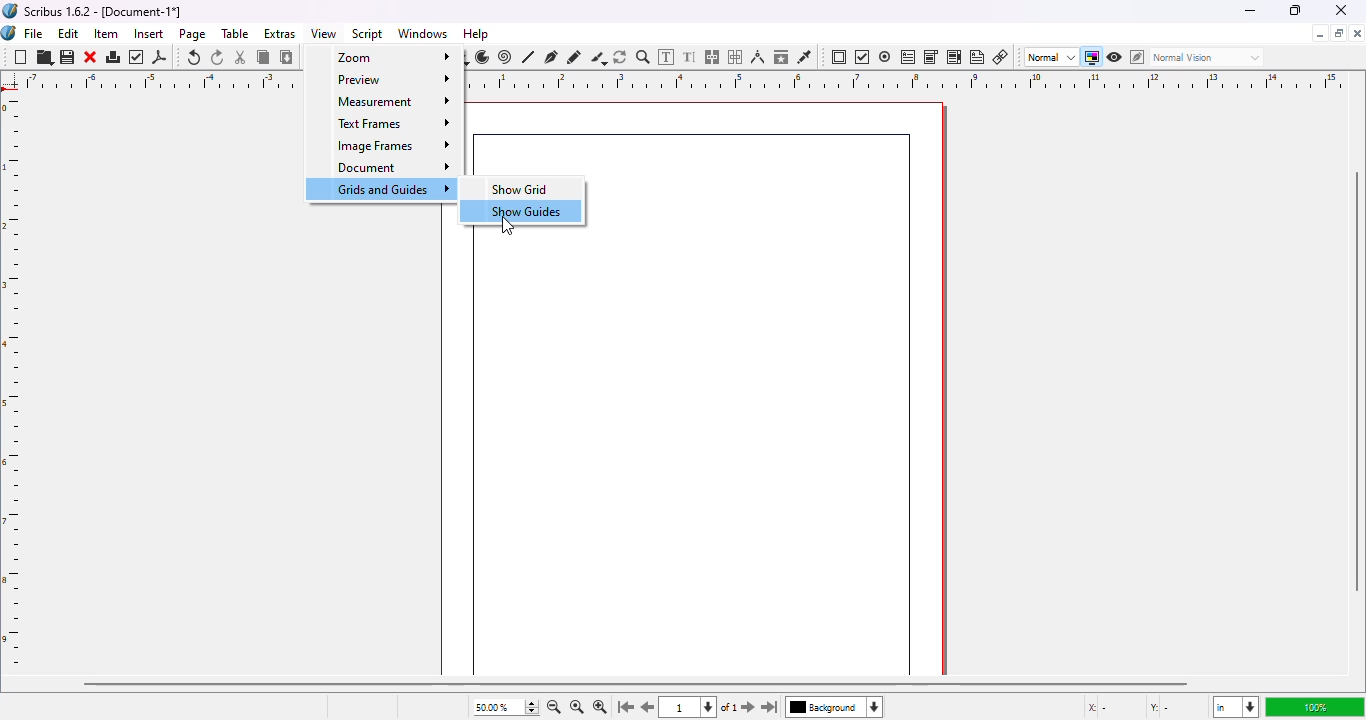 This screenshot has height=720, width=1366. I want to click on logo, so click(10, 10).